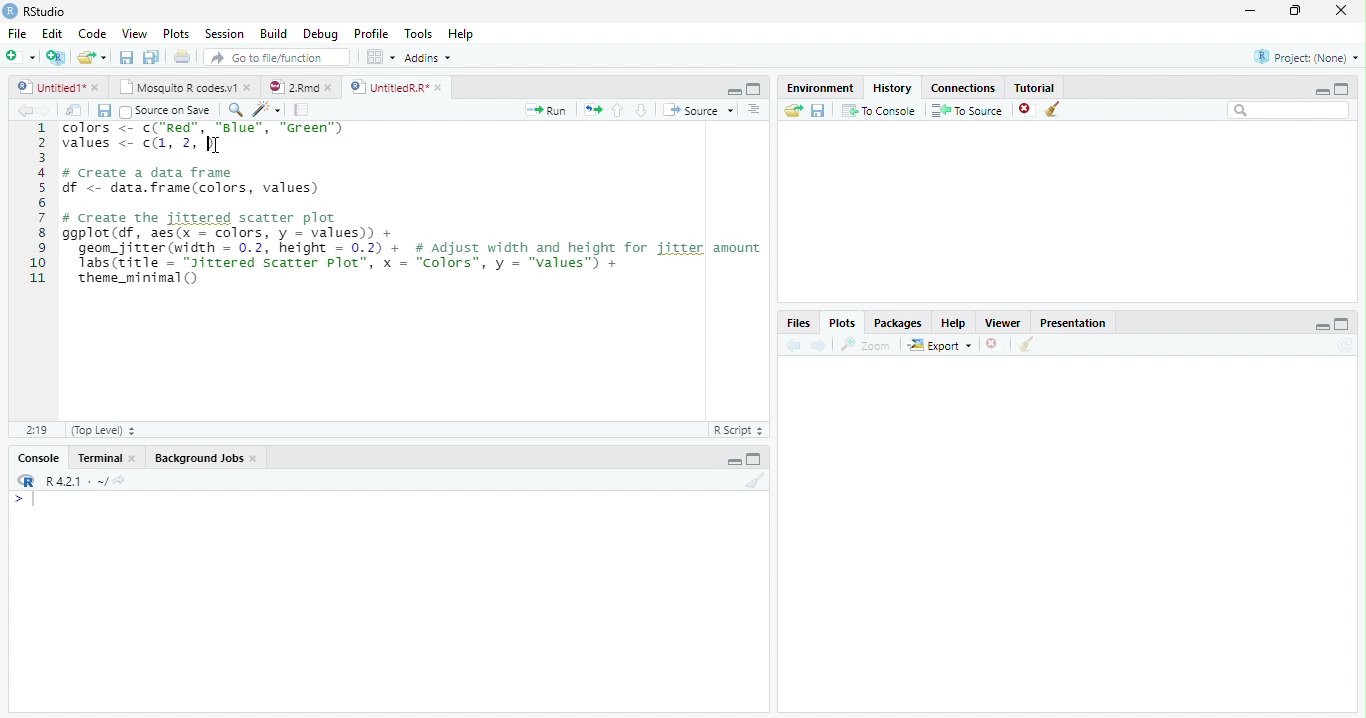 The height and width of the screenshot is (718, 1366). What do you see at coordinates (215, 144) in the screenshot?
I see `cursor` at bounding box center [215, 144].